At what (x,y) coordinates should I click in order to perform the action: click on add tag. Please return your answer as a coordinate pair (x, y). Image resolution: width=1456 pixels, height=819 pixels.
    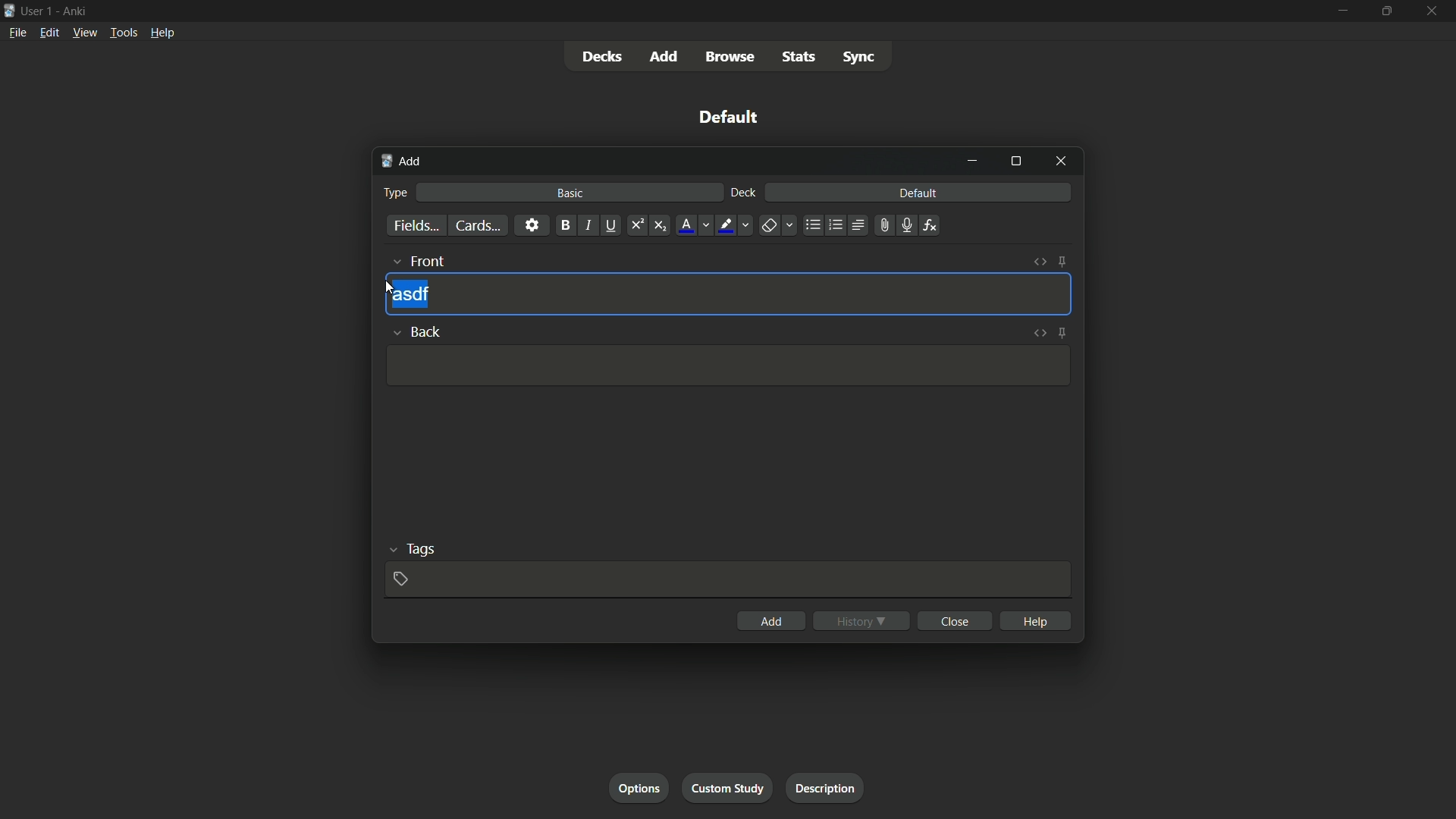
    Looking at the image, I should click on (397, 578).